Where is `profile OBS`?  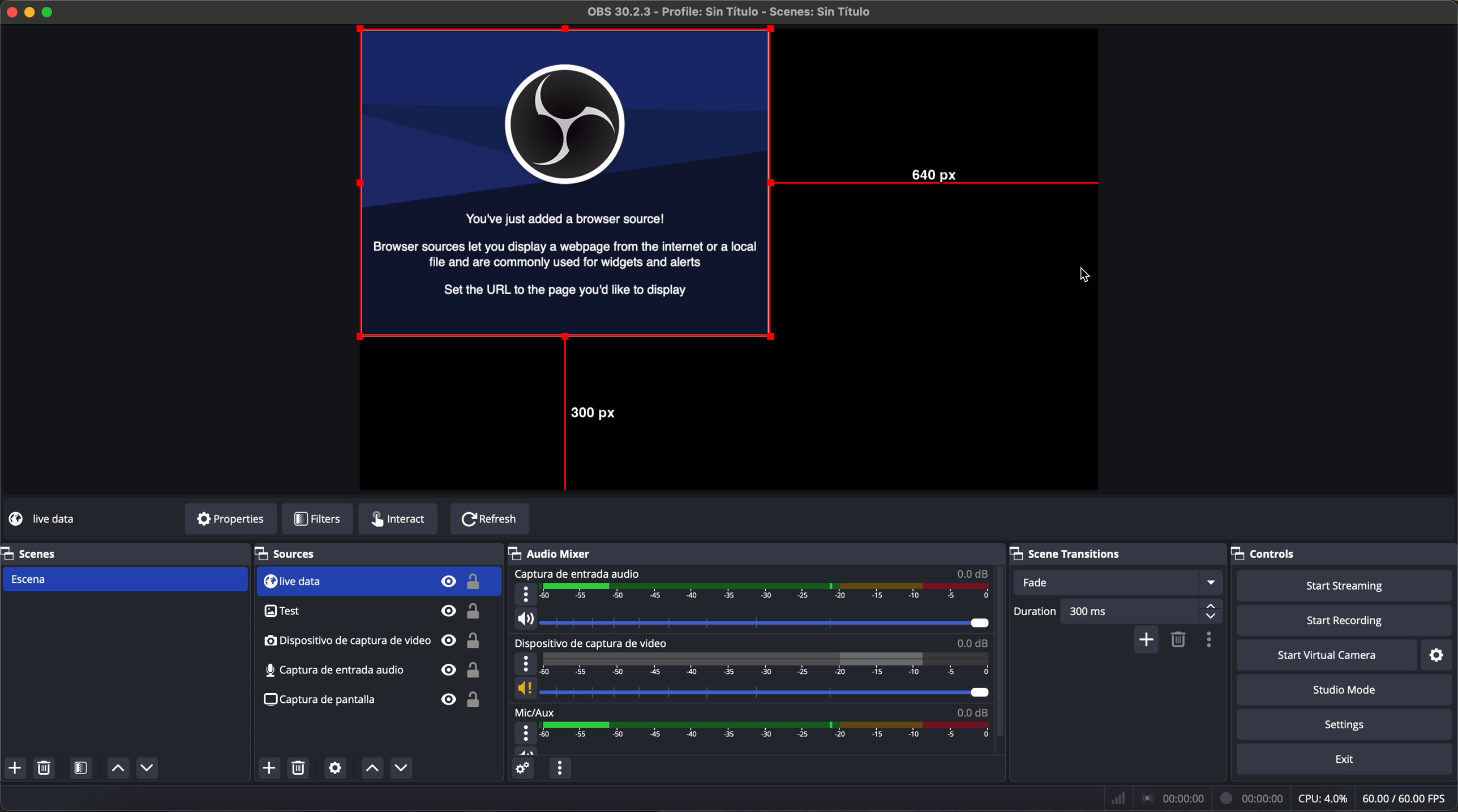 profile OBS is located at coordinates (717, 10).